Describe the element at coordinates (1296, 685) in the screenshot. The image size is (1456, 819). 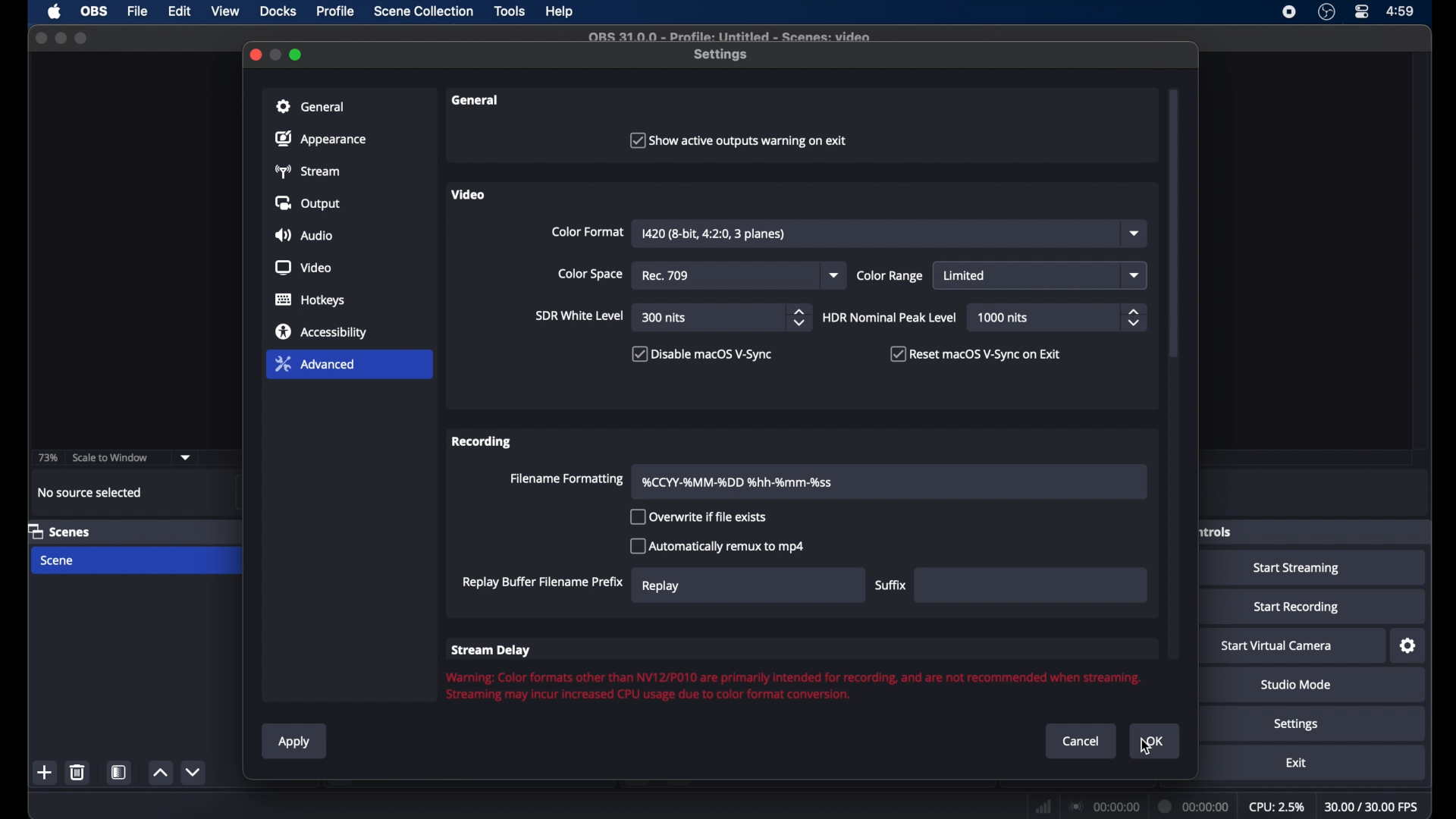
I see `studio mode` at that location.